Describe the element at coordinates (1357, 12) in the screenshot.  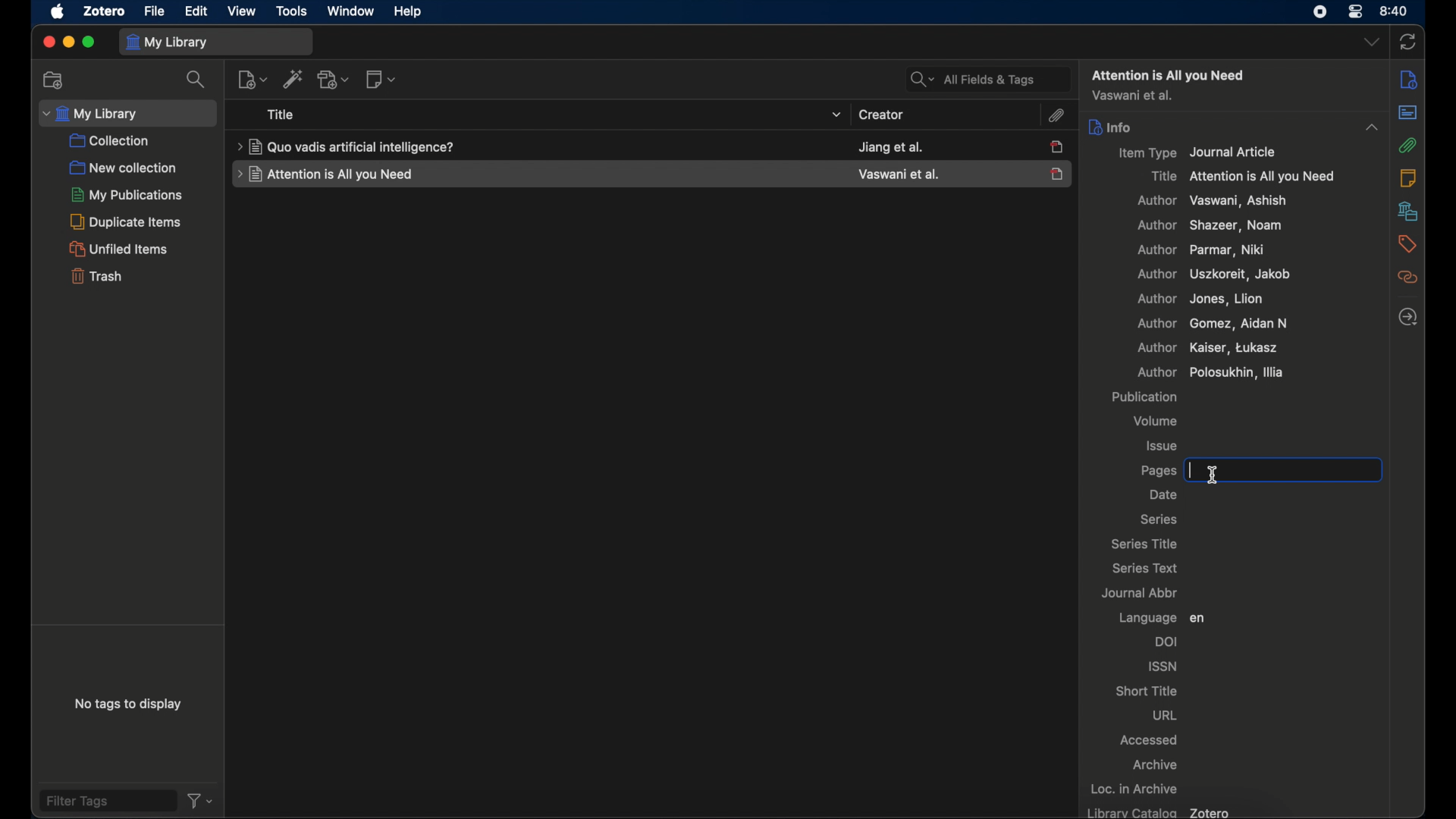
I see `control center` at that location.